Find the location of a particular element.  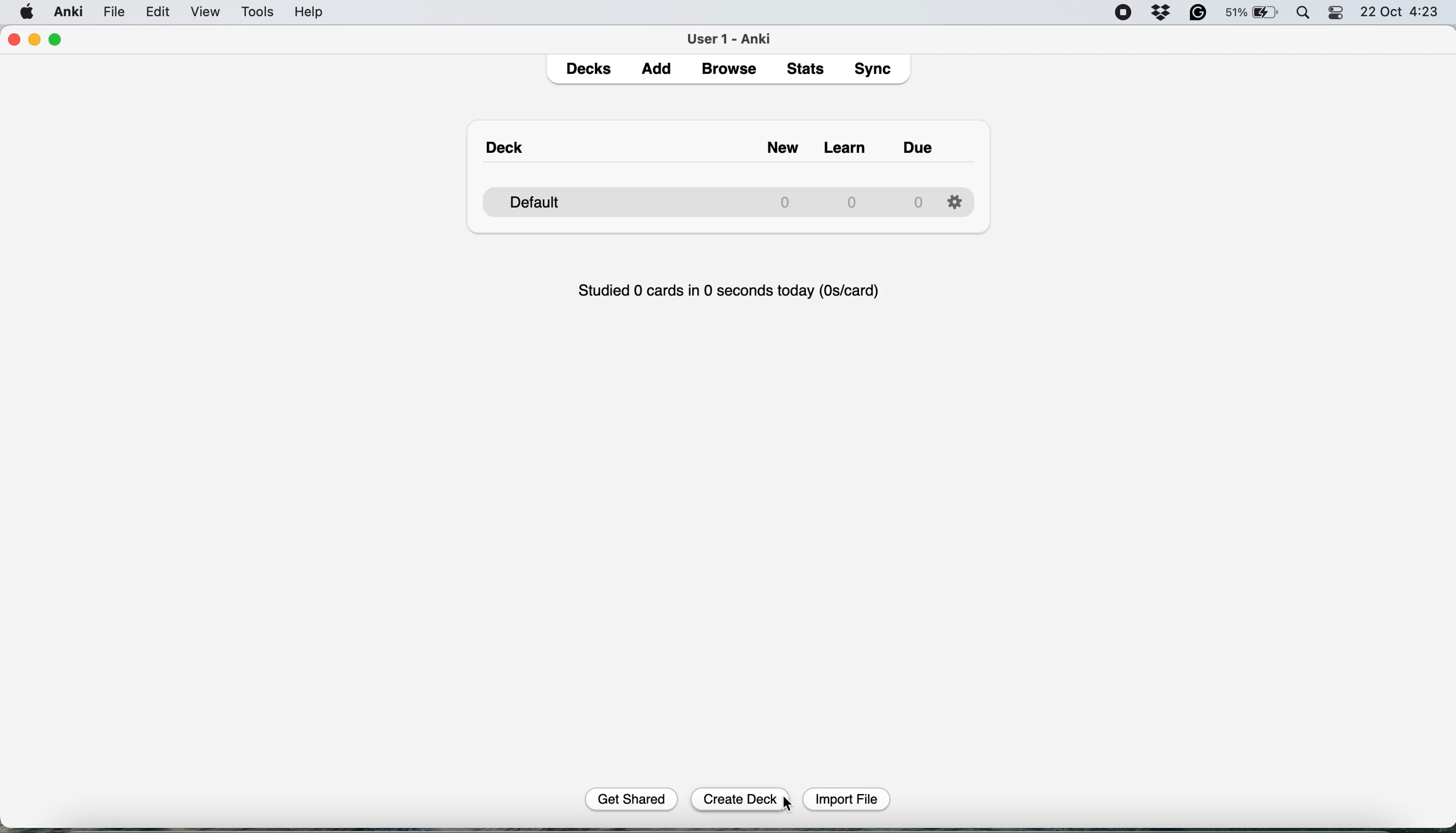

Settings is located at coordinates (958, 200).